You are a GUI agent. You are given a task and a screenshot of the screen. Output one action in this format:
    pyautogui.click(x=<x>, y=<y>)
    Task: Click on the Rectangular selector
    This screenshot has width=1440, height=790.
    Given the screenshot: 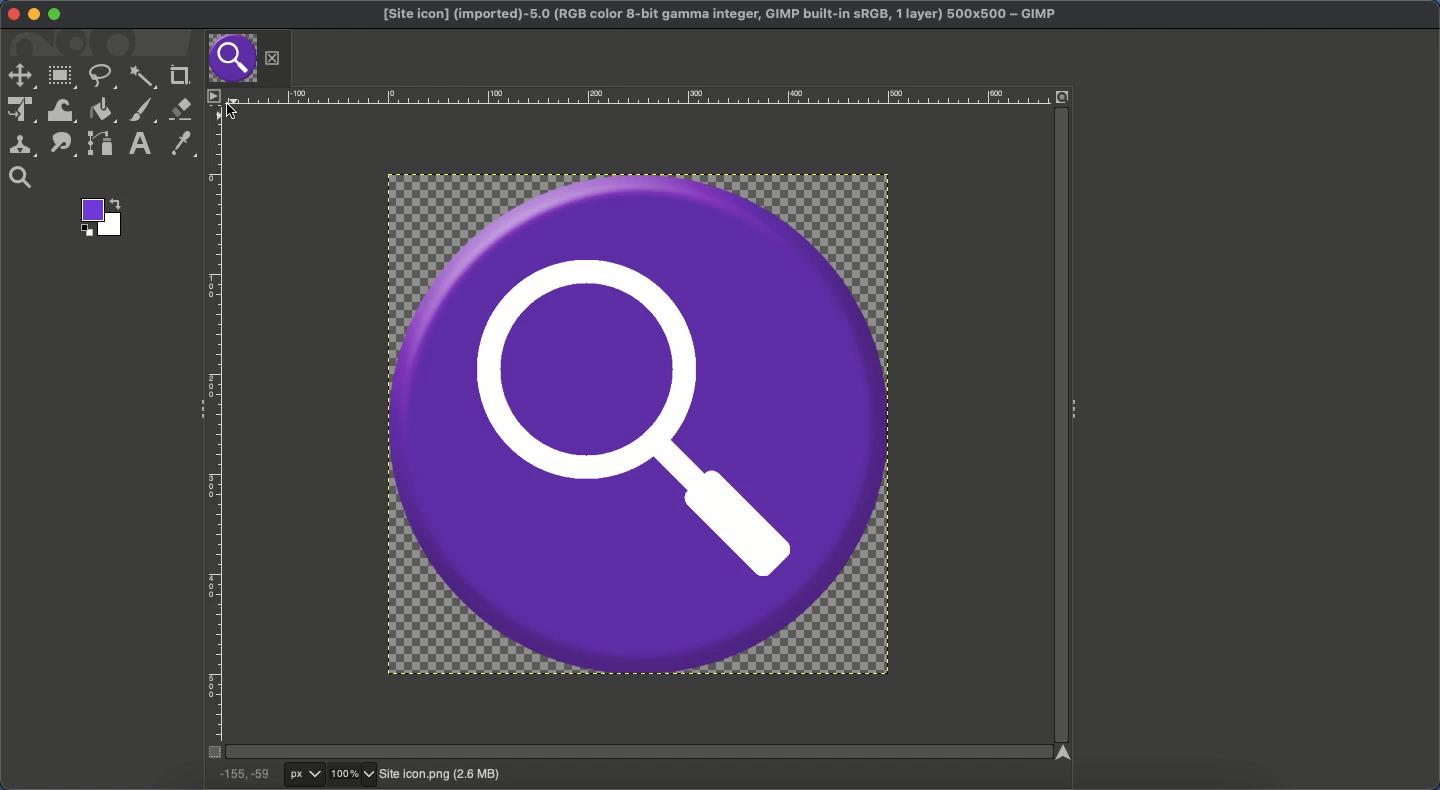 What is the action you would take?
    pyautogui.click(x=62, y=78)
    